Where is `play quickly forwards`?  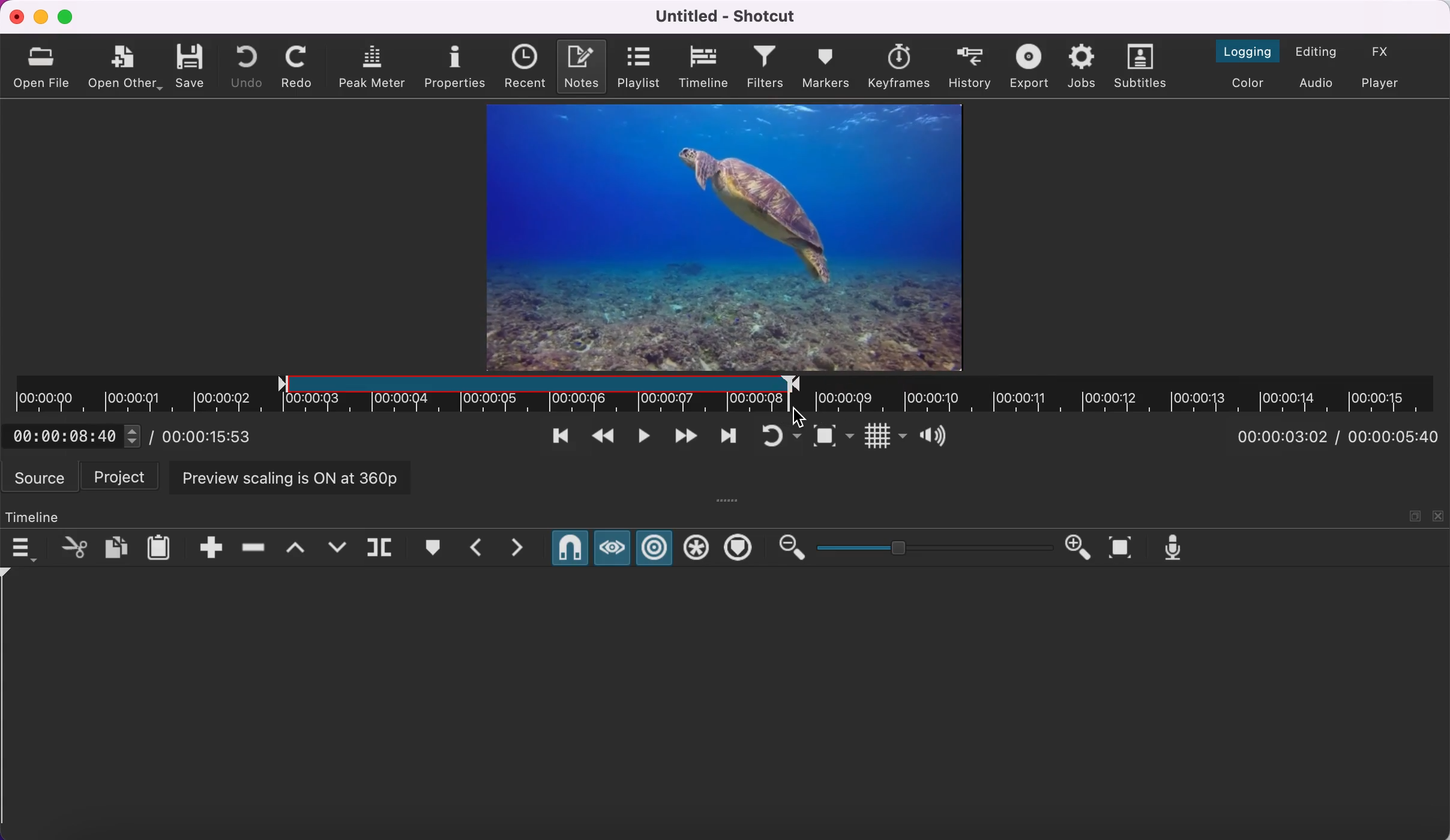
play quickly forwards is located at coordinates (682, 438).